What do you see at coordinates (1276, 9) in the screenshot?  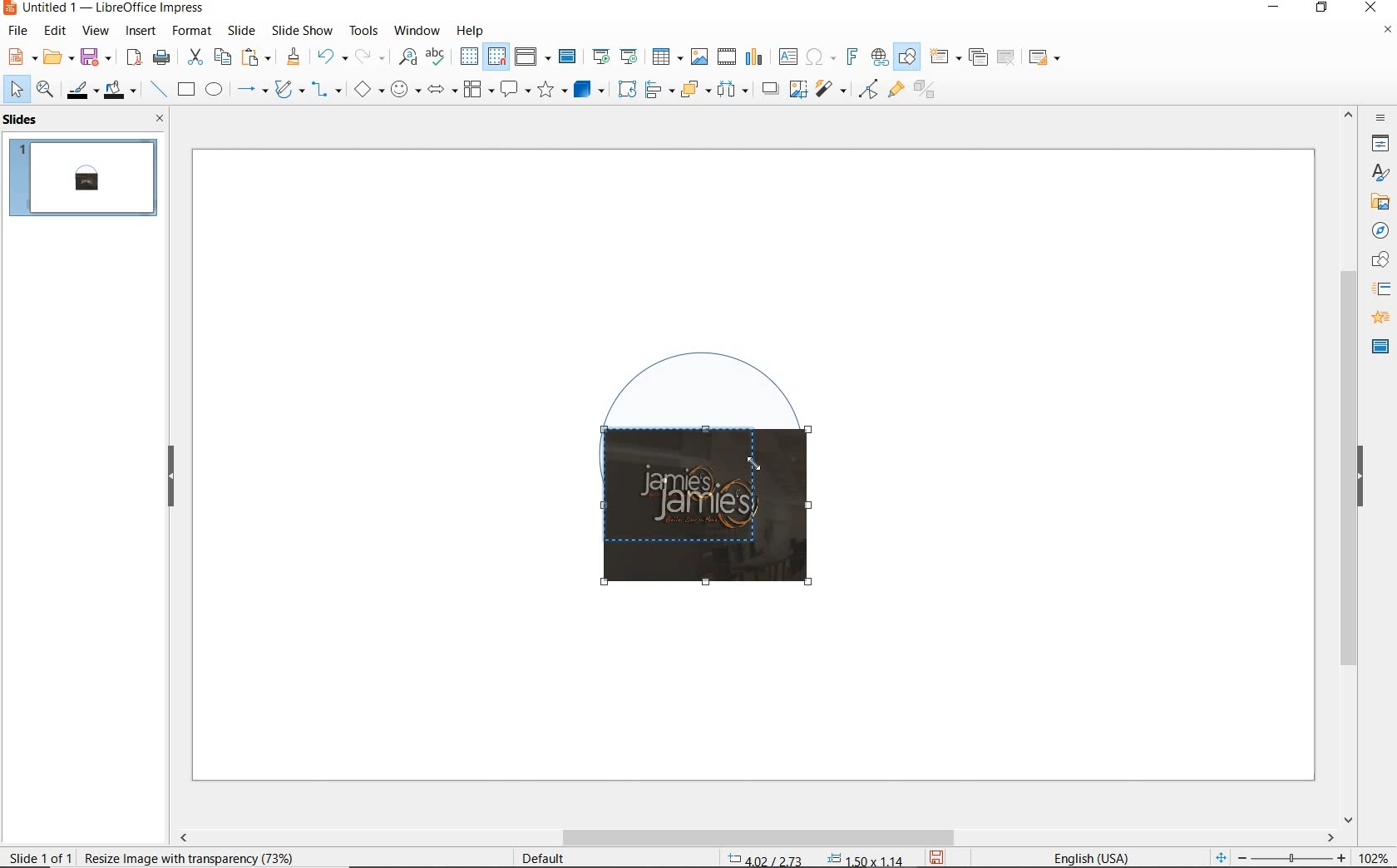 I see `minimize` at bounding box center [1276, 9].